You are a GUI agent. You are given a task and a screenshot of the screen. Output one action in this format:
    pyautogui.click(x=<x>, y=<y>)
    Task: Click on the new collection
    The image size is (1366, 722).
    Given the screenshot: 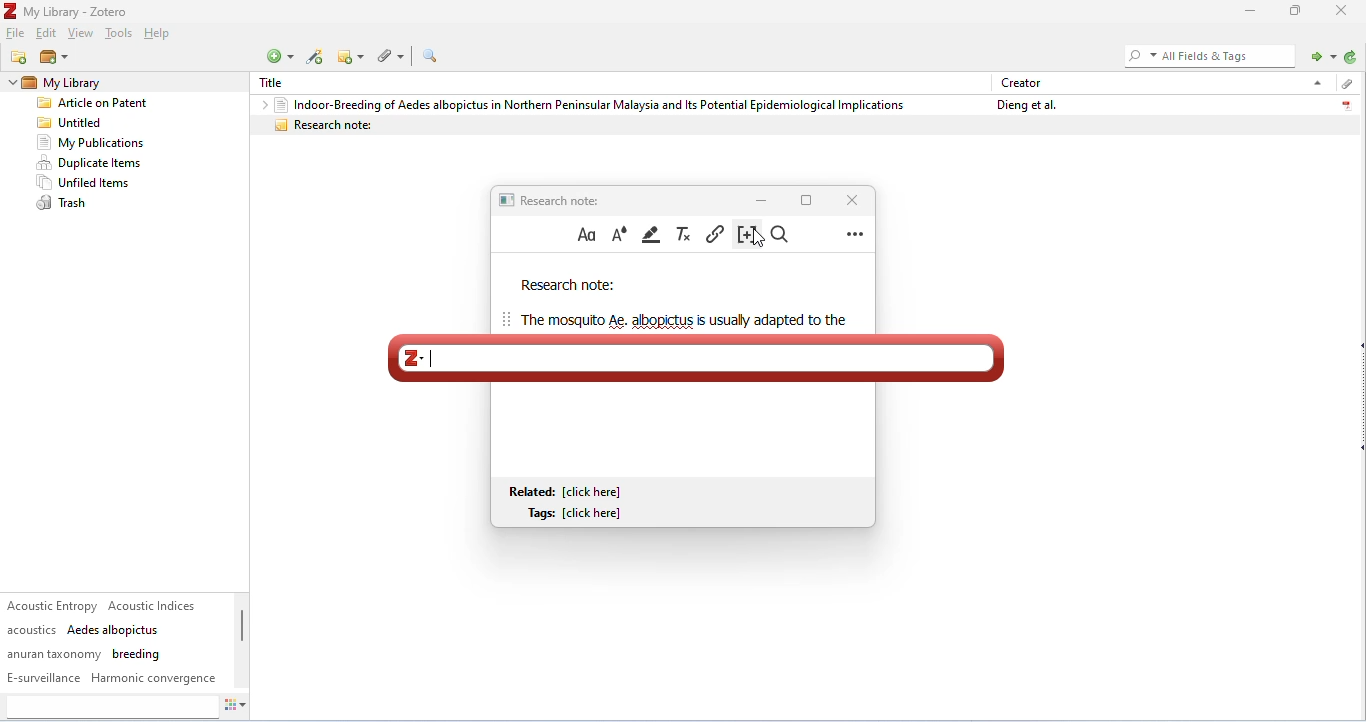 What is the action you would take?
    pyautogui.click(x=20, y=57)
    